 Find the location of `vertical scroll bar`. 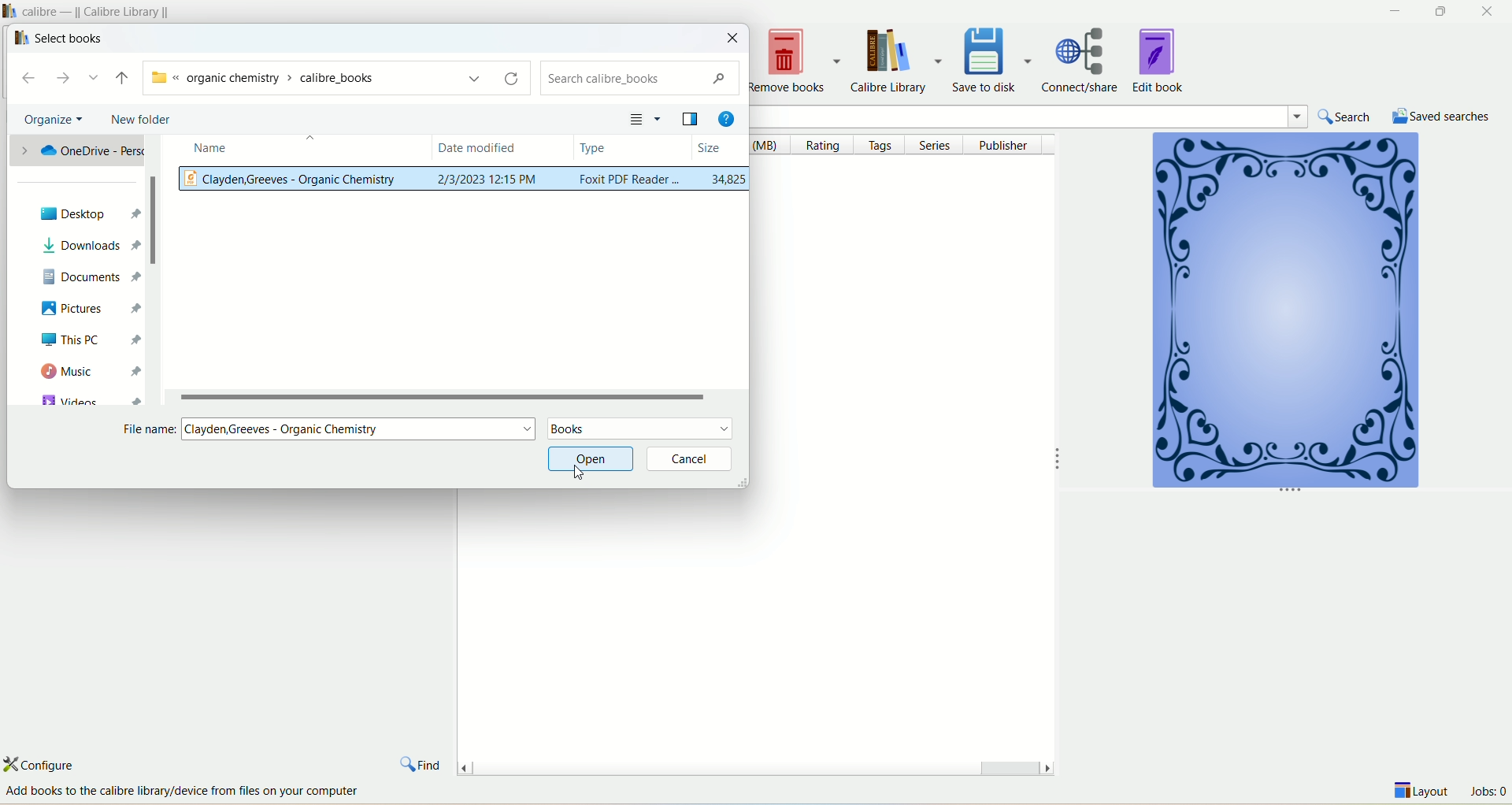

vertical scroll bar is located at coordinates (152, 270).